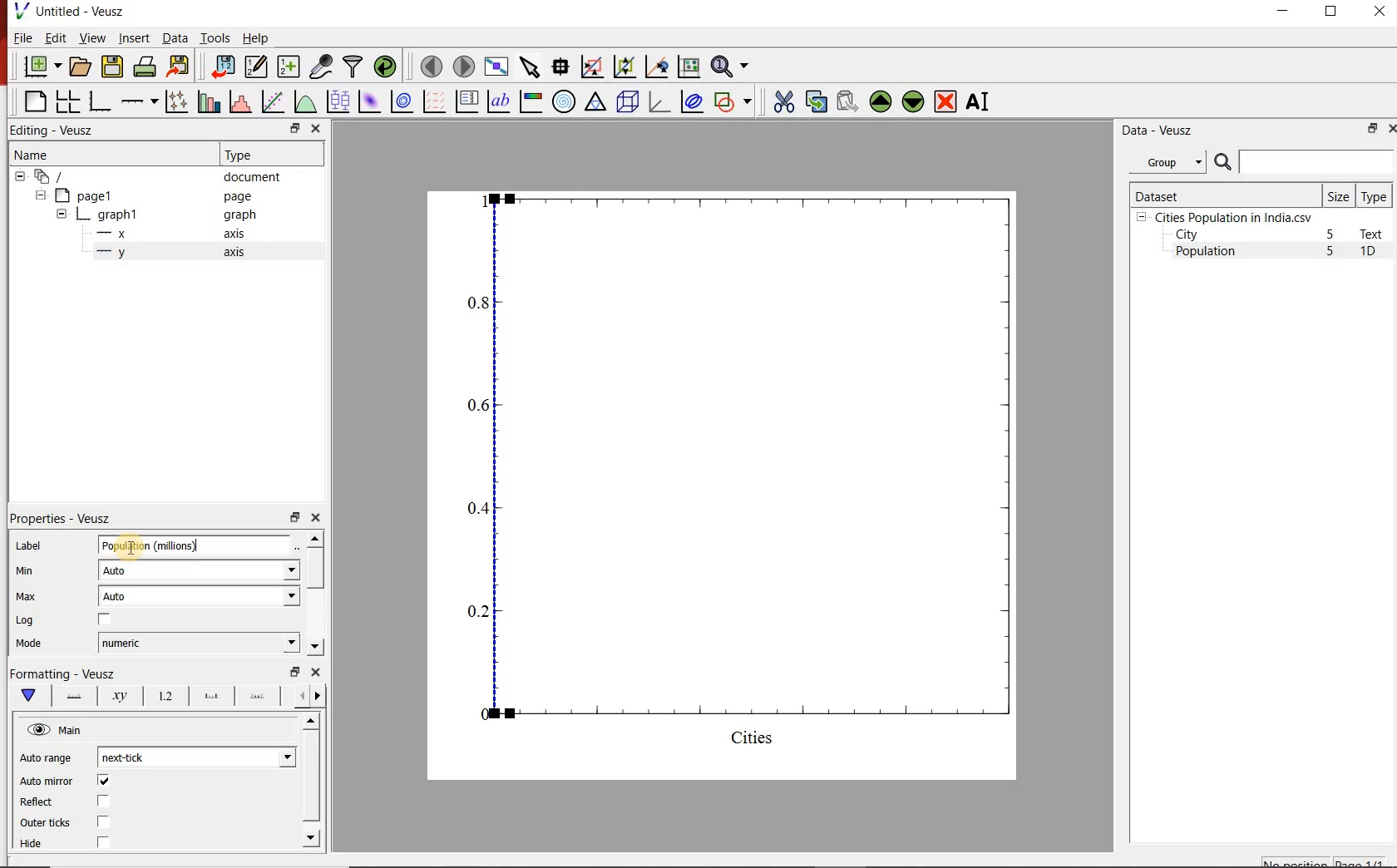  What do you see at coordinates (1284, 11) in the screenshot?
I see `MINIMIZE` at bounding box center [1284, 11].